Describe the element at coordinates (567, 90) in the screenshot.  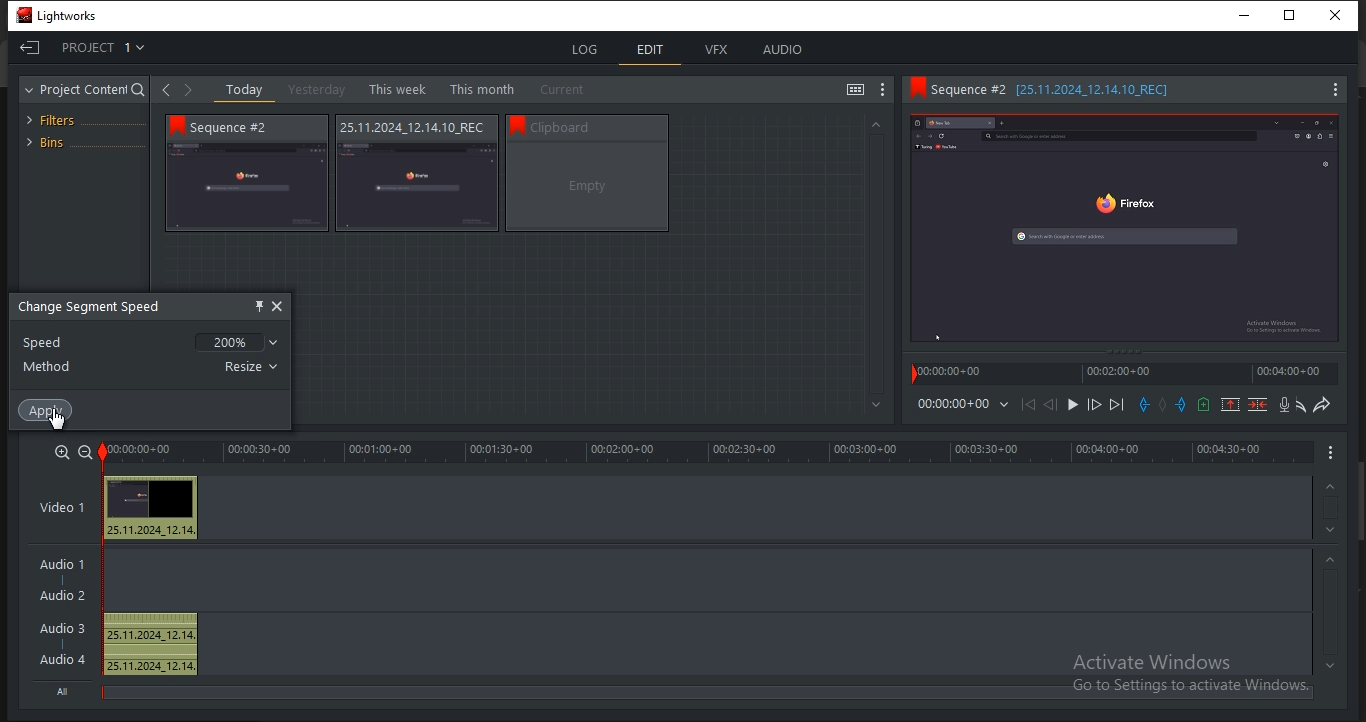
I see `current` at that location.